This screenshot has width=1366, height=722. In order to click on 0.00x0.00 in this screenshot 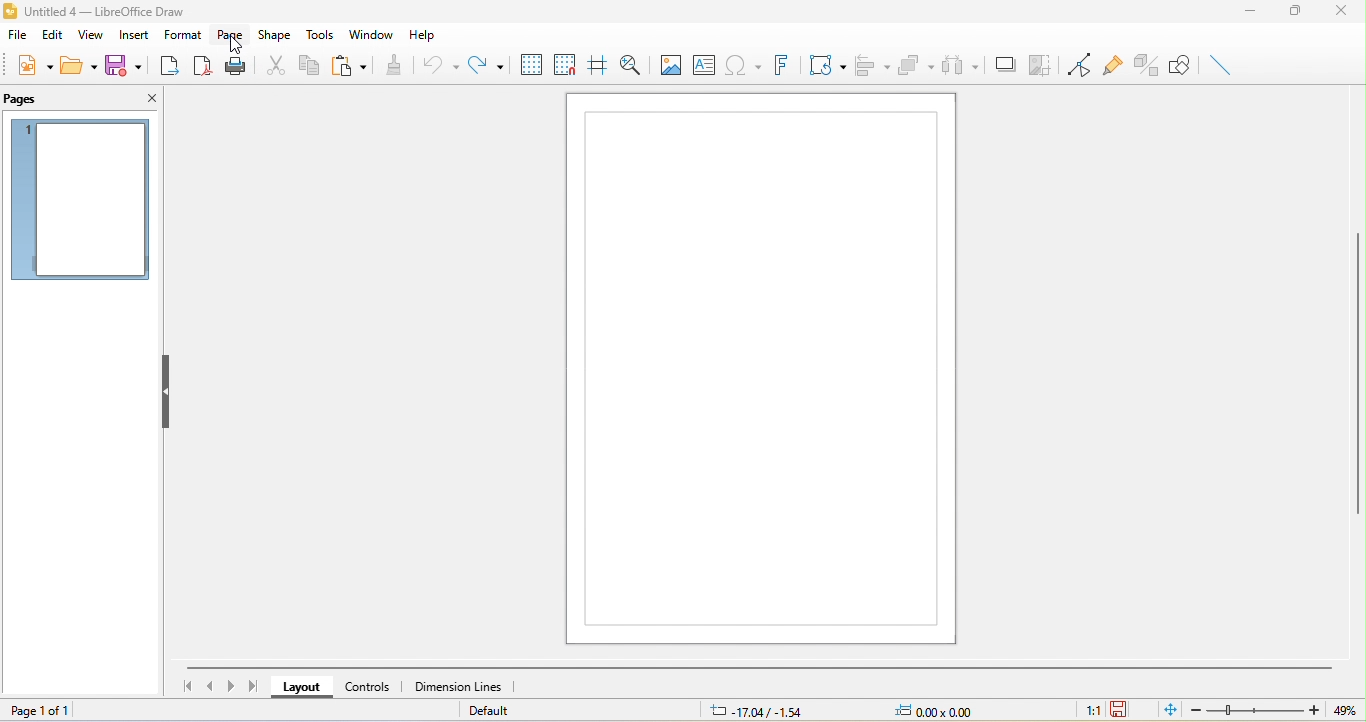, I will do `click(947, 709)`.